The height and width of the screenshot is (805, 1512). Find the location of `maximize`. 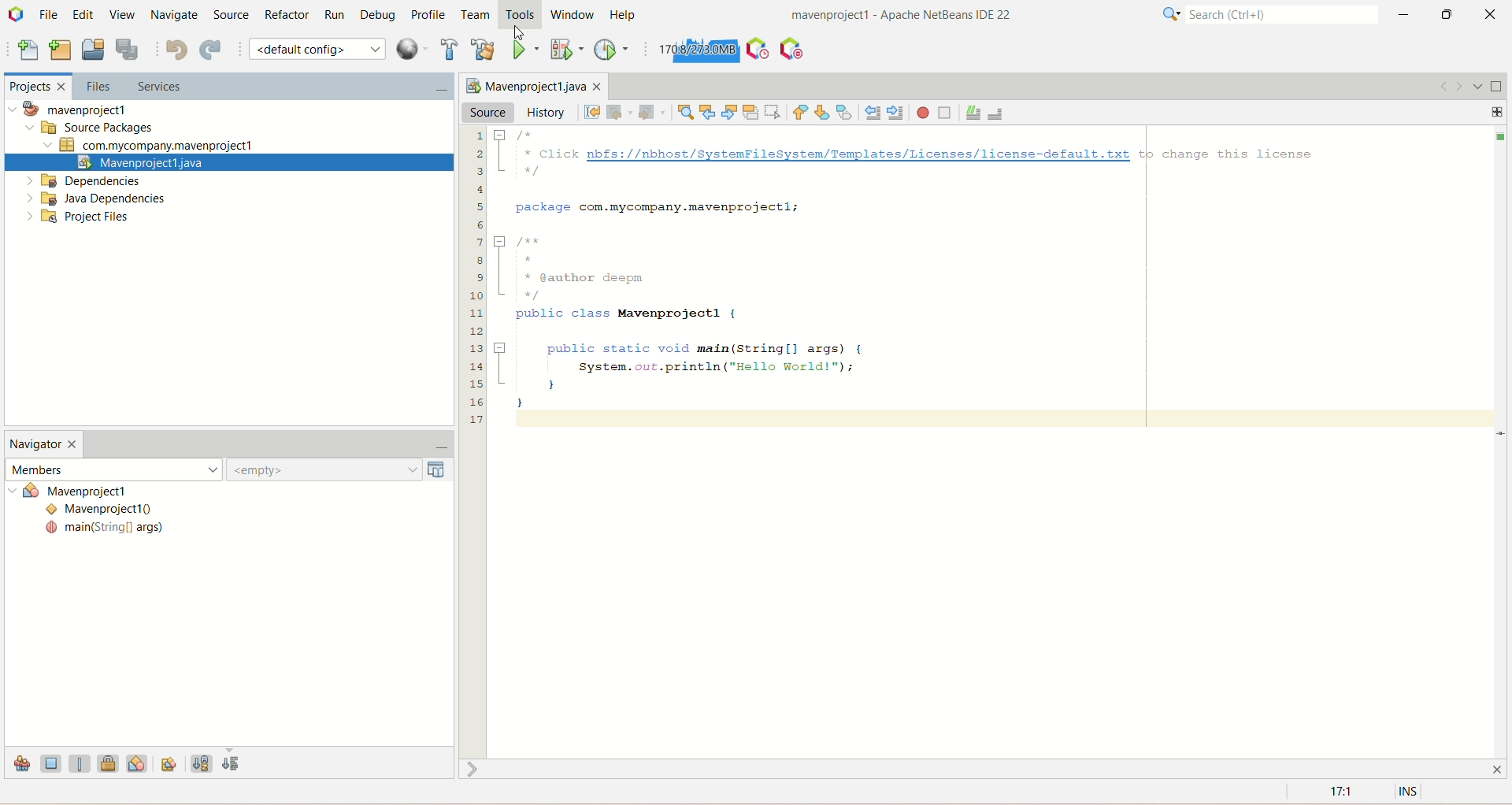

maximize is located at coordinates (1447, 14).